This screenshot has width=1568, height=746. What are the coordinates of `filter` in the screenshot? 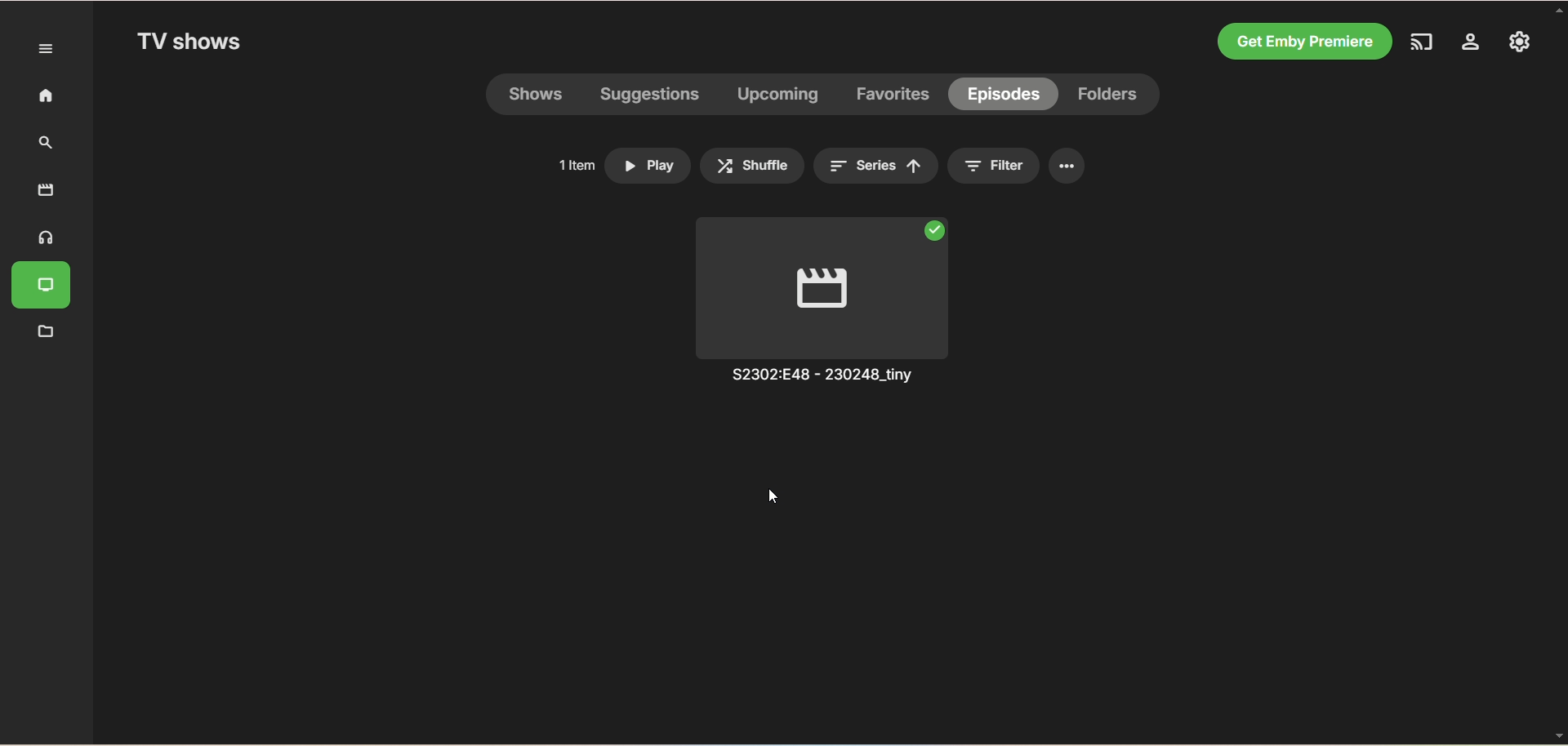 It's located at (1013, 167).